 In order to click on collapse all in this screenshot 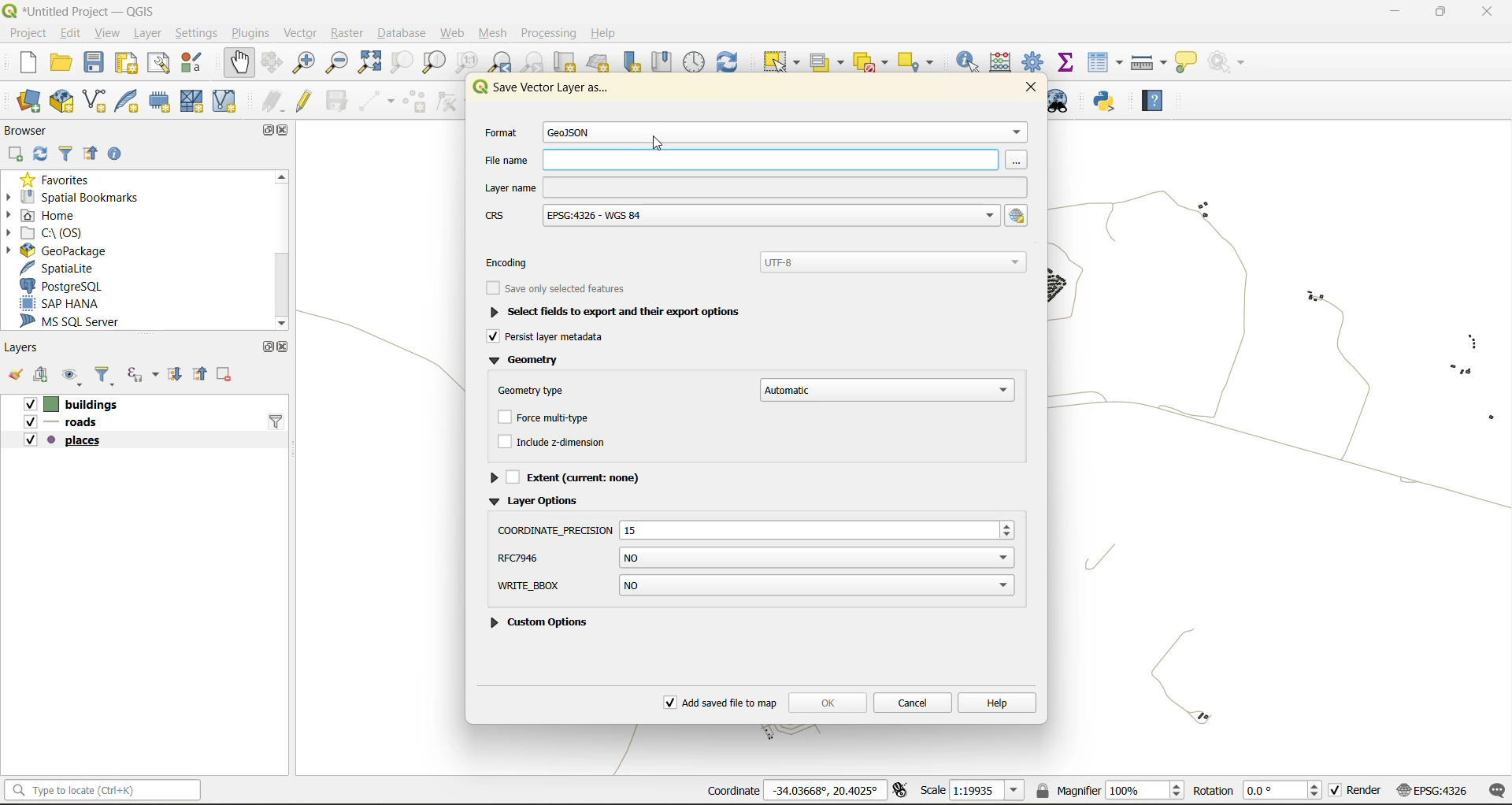, I will do `click(204, 376)`.